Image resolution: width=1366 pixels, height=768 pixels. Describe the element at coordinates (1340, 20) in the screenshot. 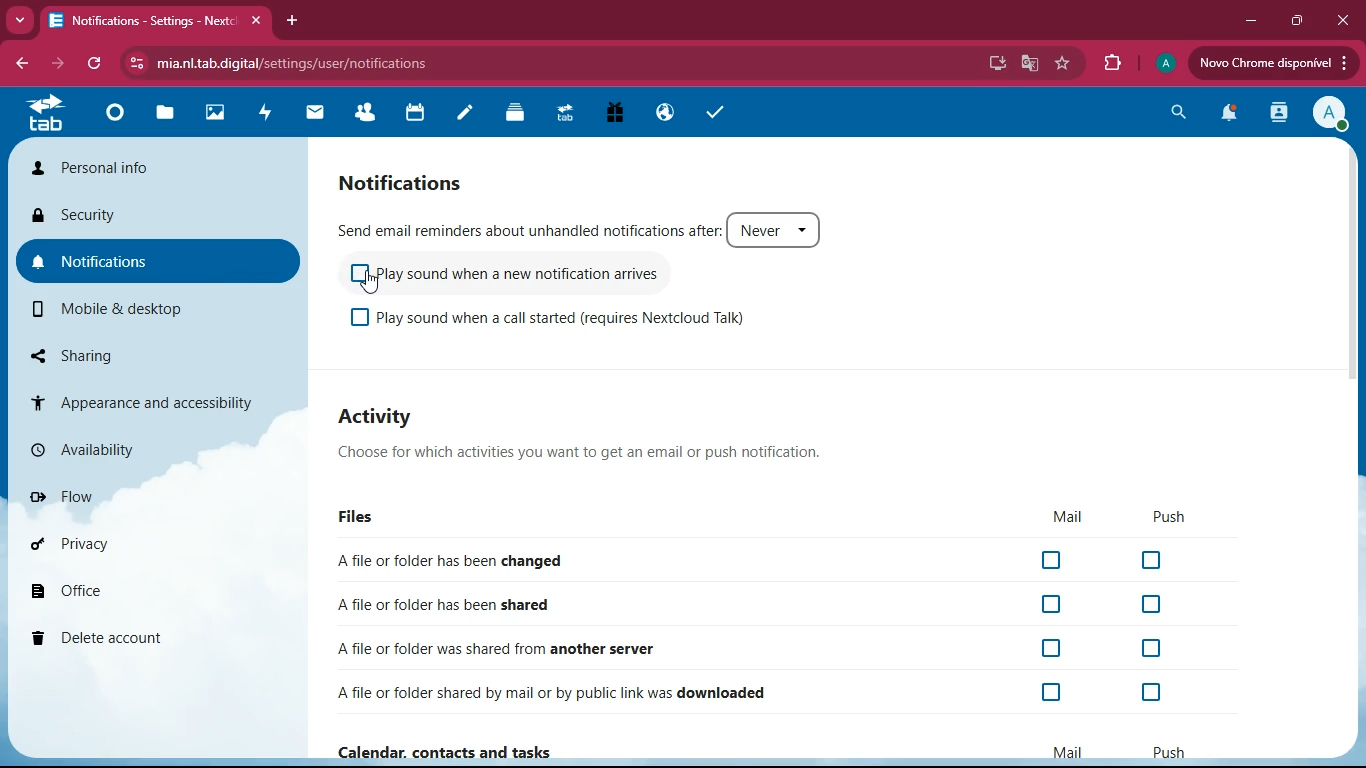

I see `close` at that location.